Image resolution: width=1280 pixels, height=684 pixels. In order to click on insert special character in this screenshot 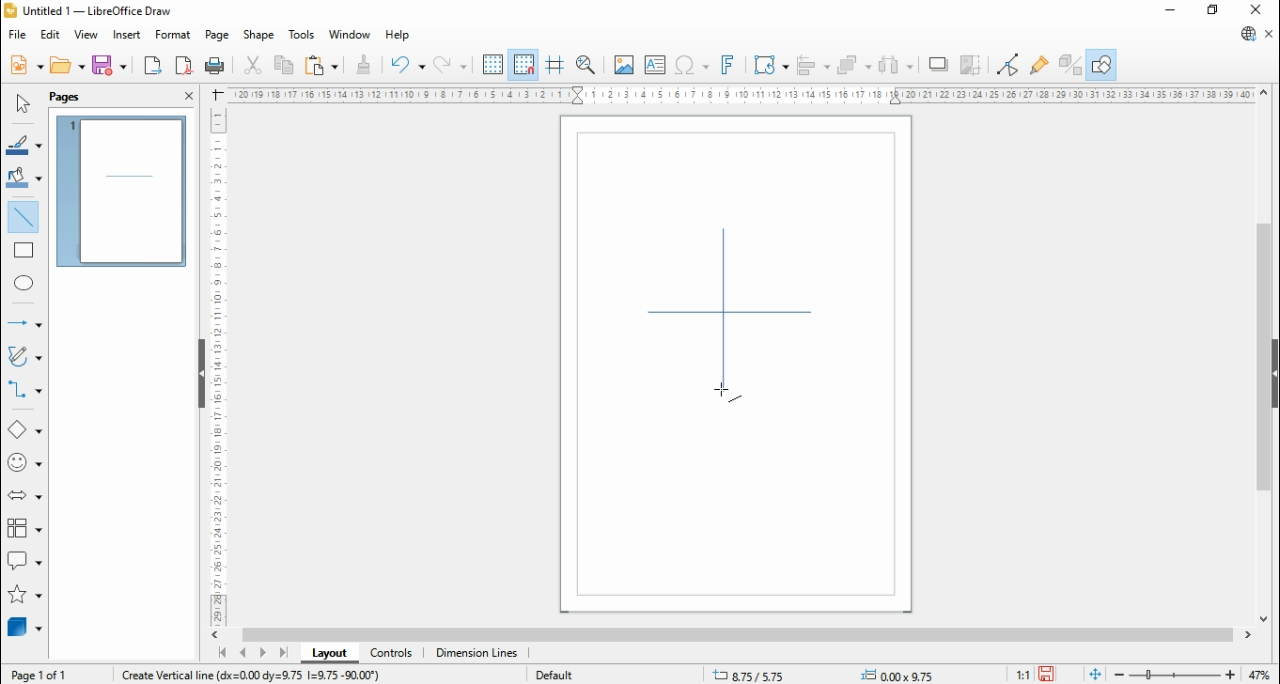, I will do `click(690, 65)`.